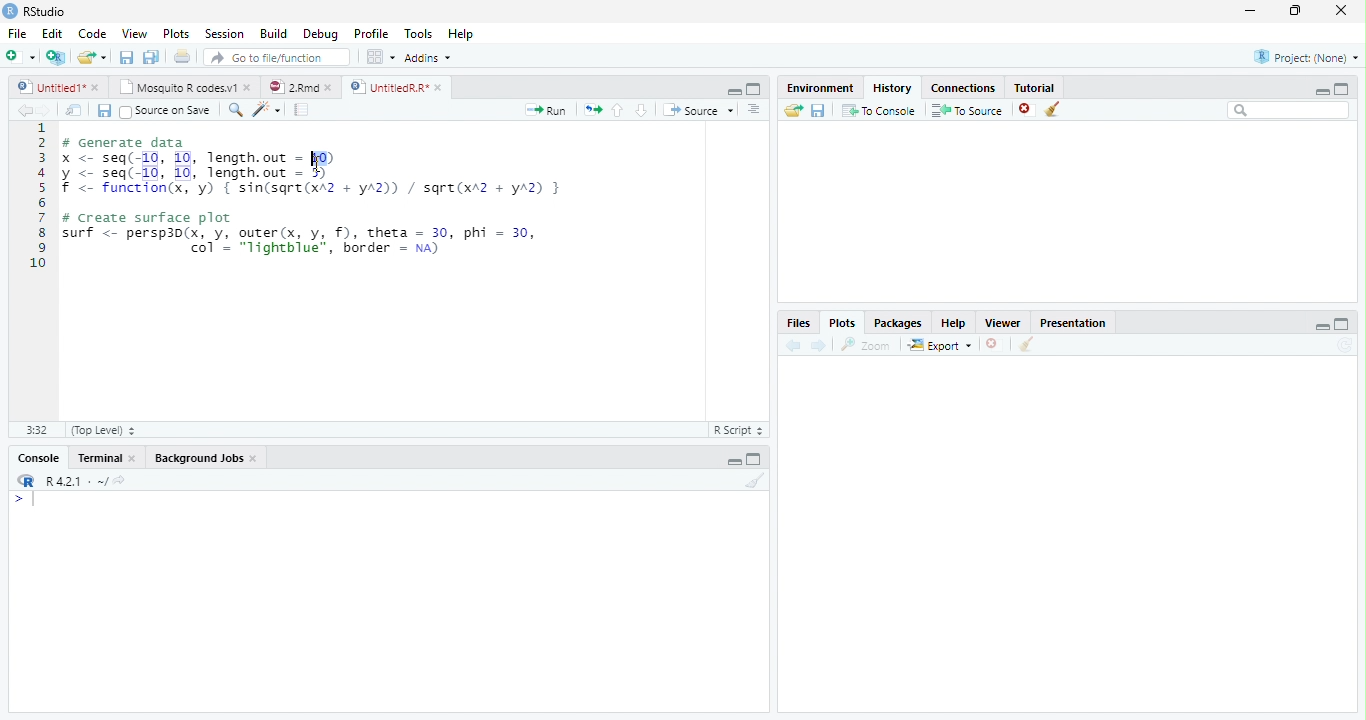  Describe the element at coordinates (734, 461) in the screenshot. I see `Minimize` at that location.